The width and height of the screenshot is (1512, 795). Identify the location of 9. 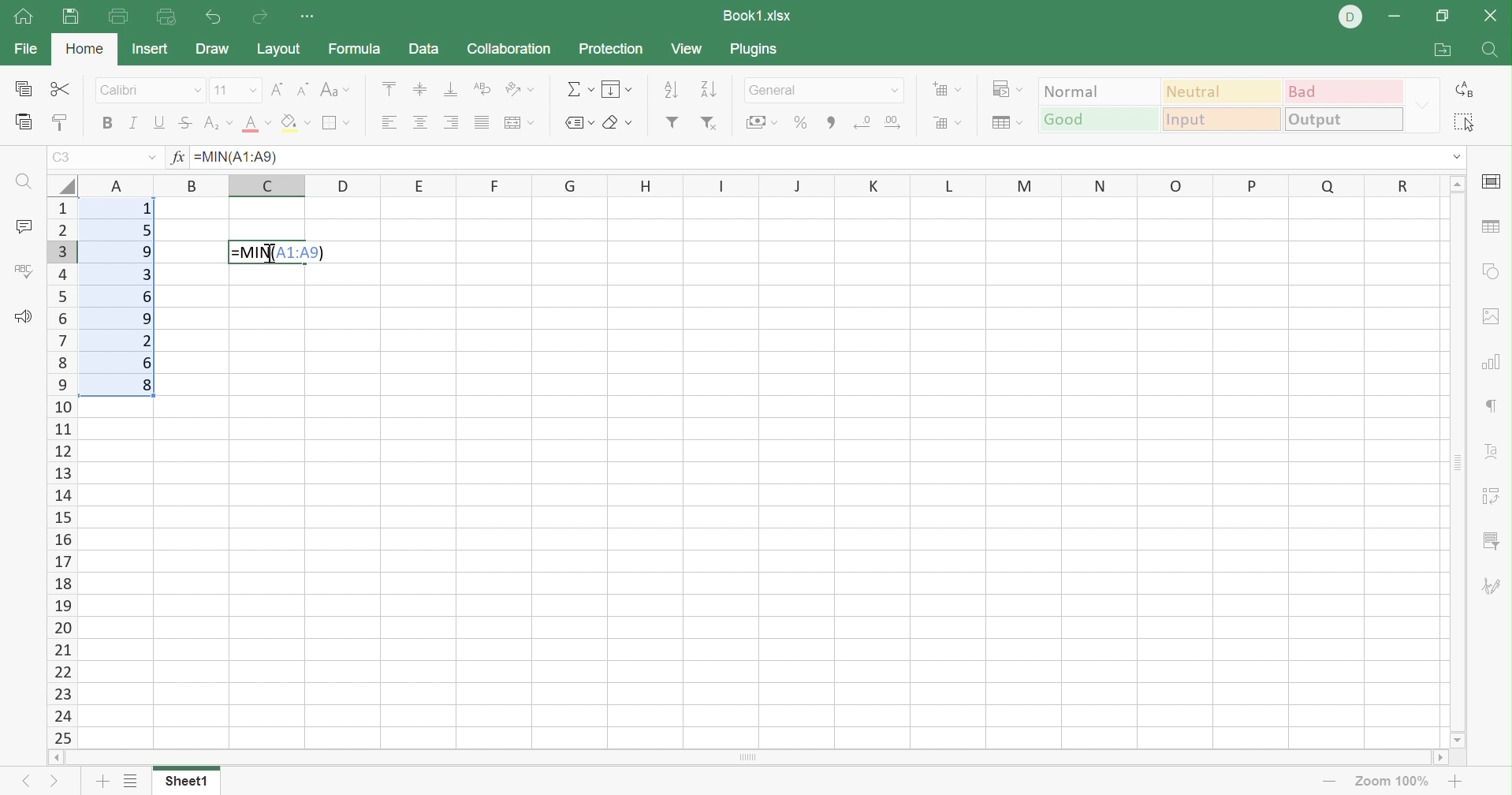
(147, 251).